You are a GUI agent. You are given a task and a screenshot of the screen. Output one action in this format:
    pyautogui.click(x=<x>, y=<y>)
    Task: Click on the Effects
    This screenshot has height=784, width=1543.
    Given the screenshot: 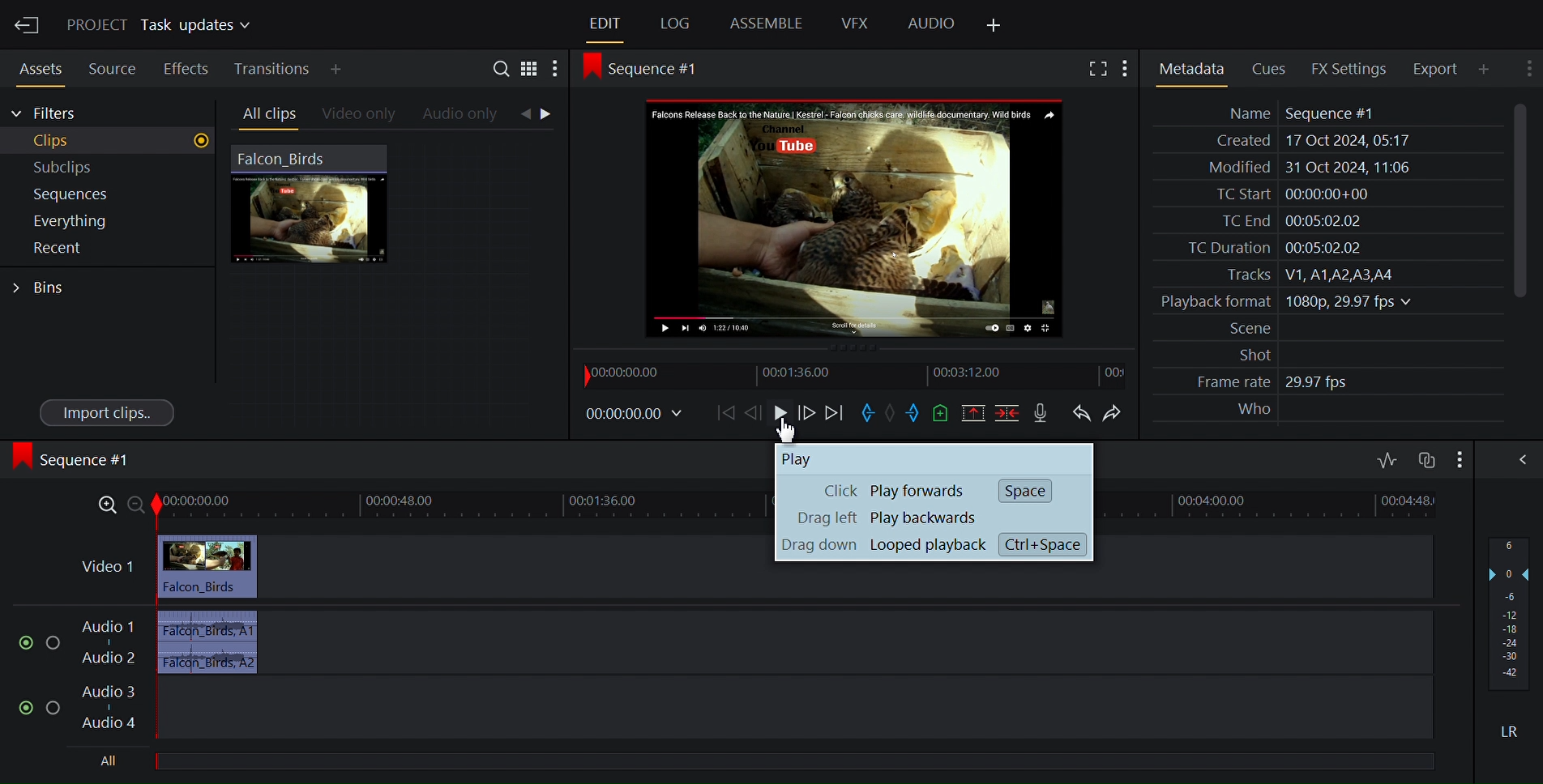 What is the action you would take?
    pyautogui.click(x=186, y=69)
    